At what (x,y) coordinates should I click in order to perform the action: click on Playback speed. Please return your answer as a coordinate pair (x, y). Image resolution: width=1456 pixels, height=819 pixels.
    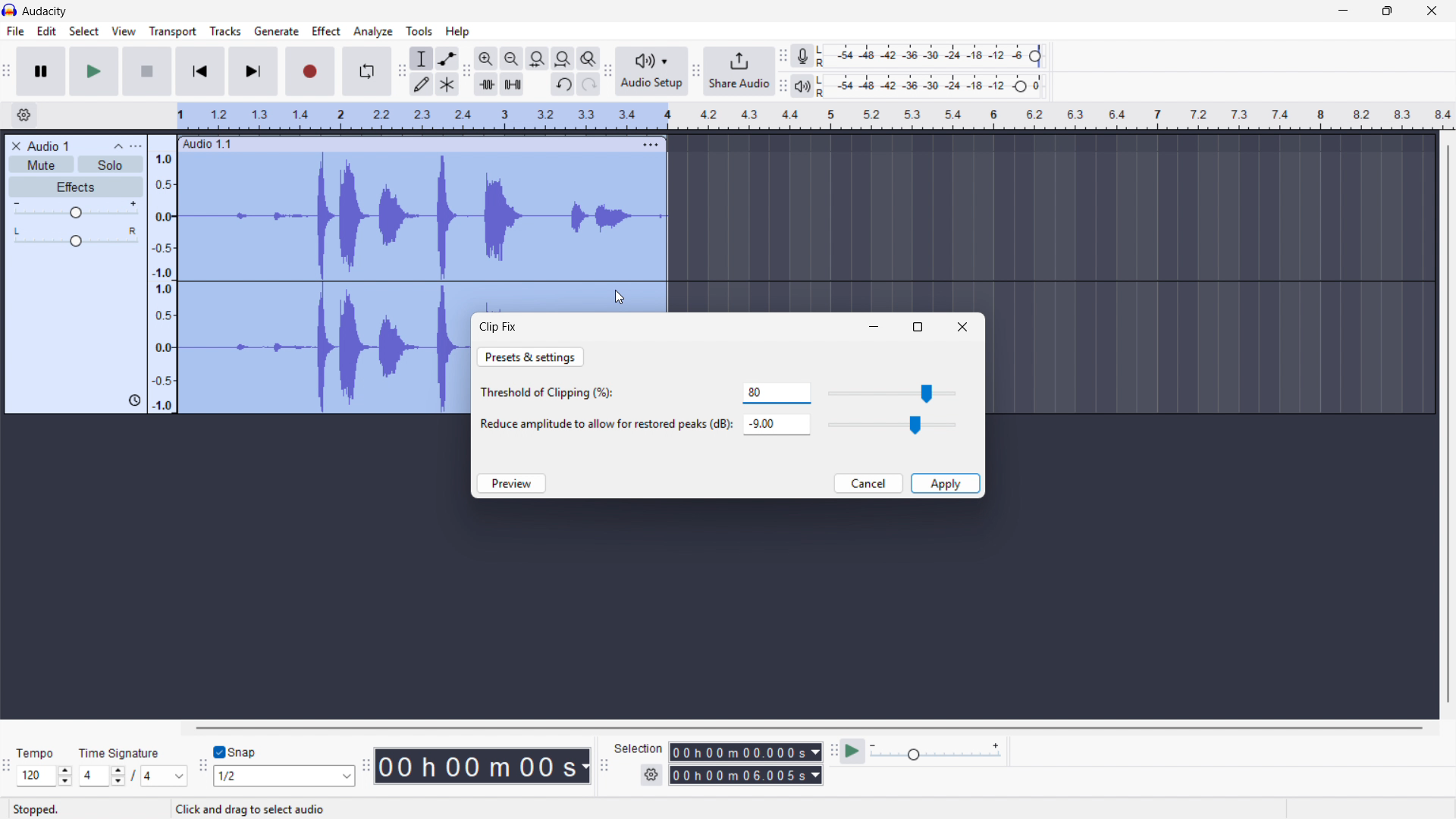
    Looking at the image, I should click on (935, 753).